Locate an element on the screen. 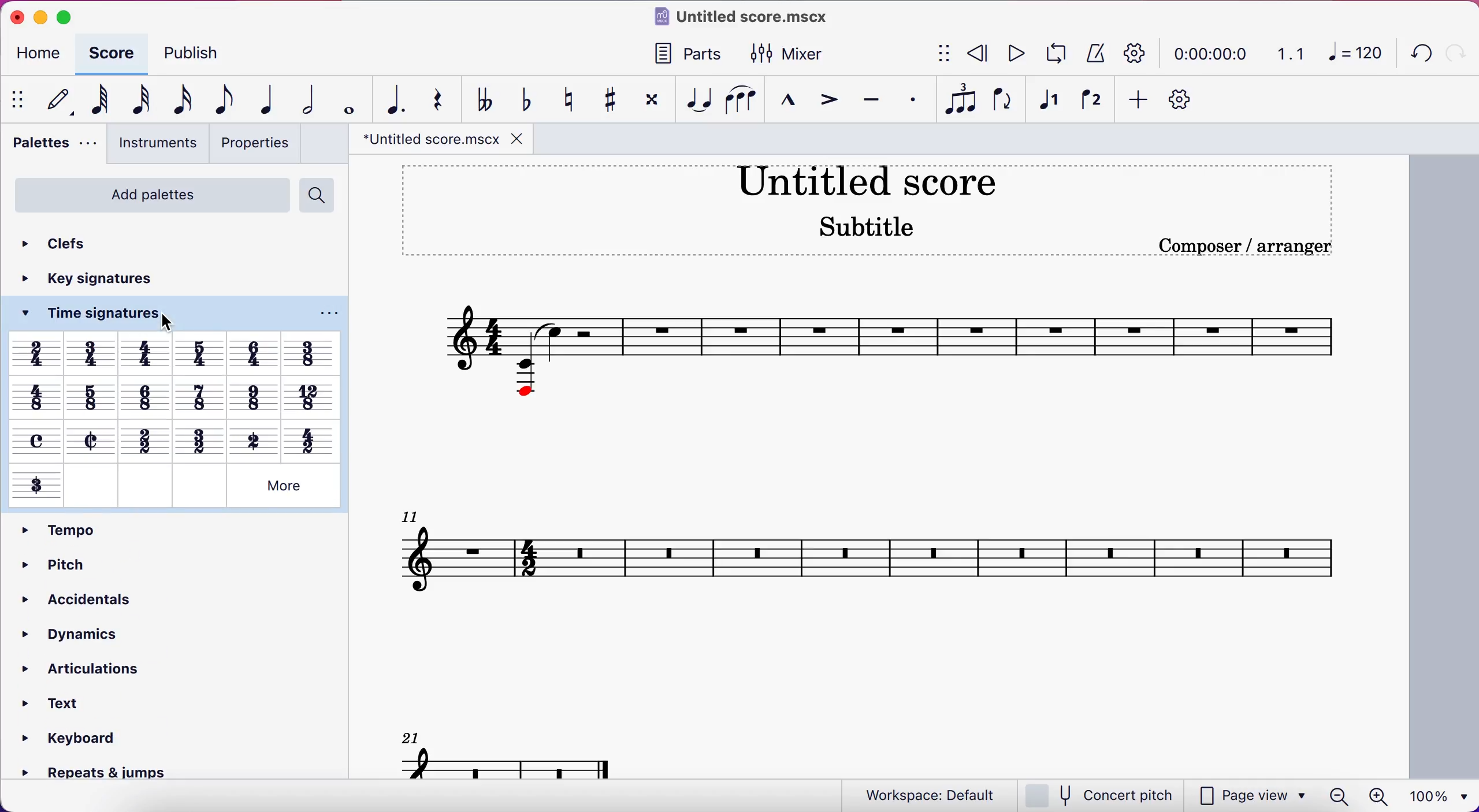 The image size is (1479, 812). add palettes is located at coordinates (151, 195).